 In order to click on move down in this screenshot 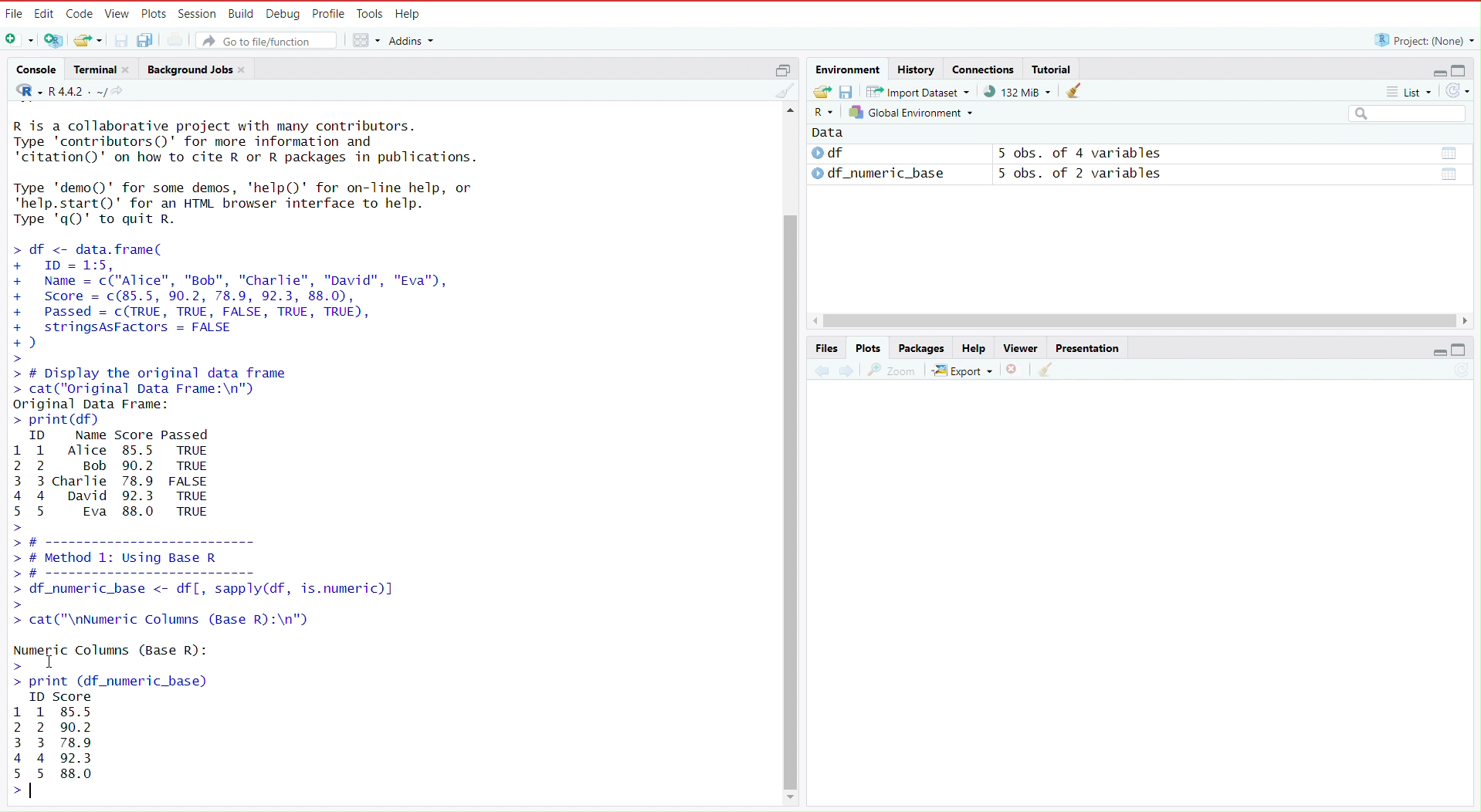, I will do `click(791, 797)`.